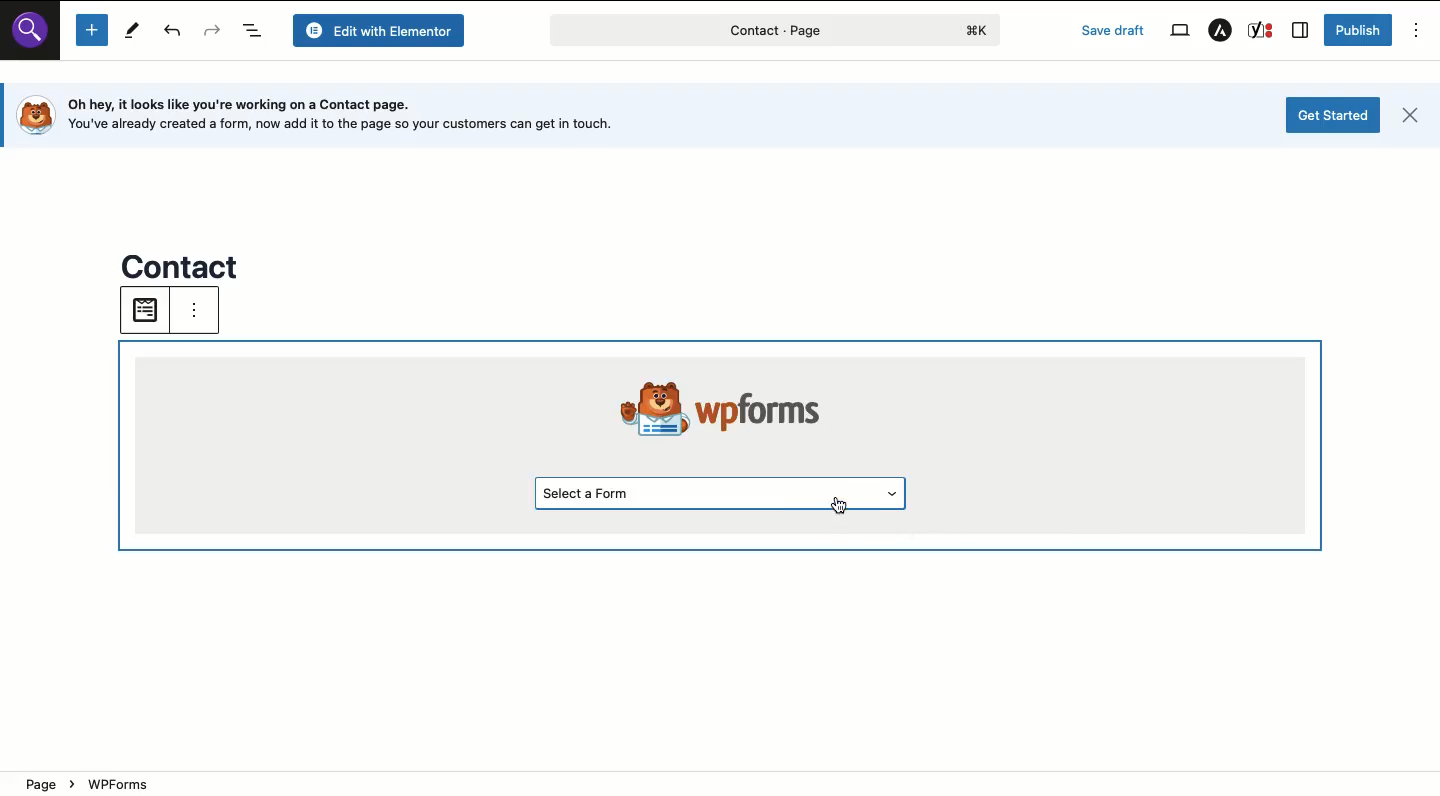  What do you see at coordinates (1409, 118) in the screenshot?
I see `Close` at bounding box center [1409, 118].